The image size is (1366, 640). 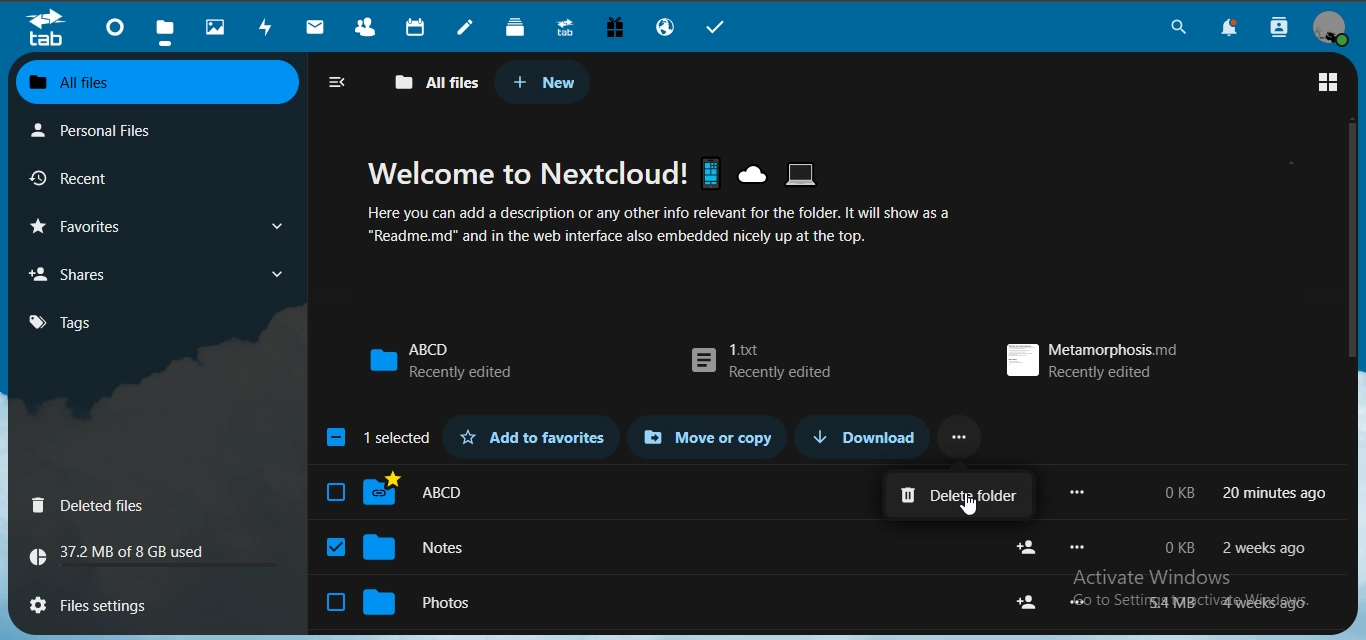 What do you see at coordinates (960, 437) in the screenshot?
I see `...` at bounding box center [960, 437].